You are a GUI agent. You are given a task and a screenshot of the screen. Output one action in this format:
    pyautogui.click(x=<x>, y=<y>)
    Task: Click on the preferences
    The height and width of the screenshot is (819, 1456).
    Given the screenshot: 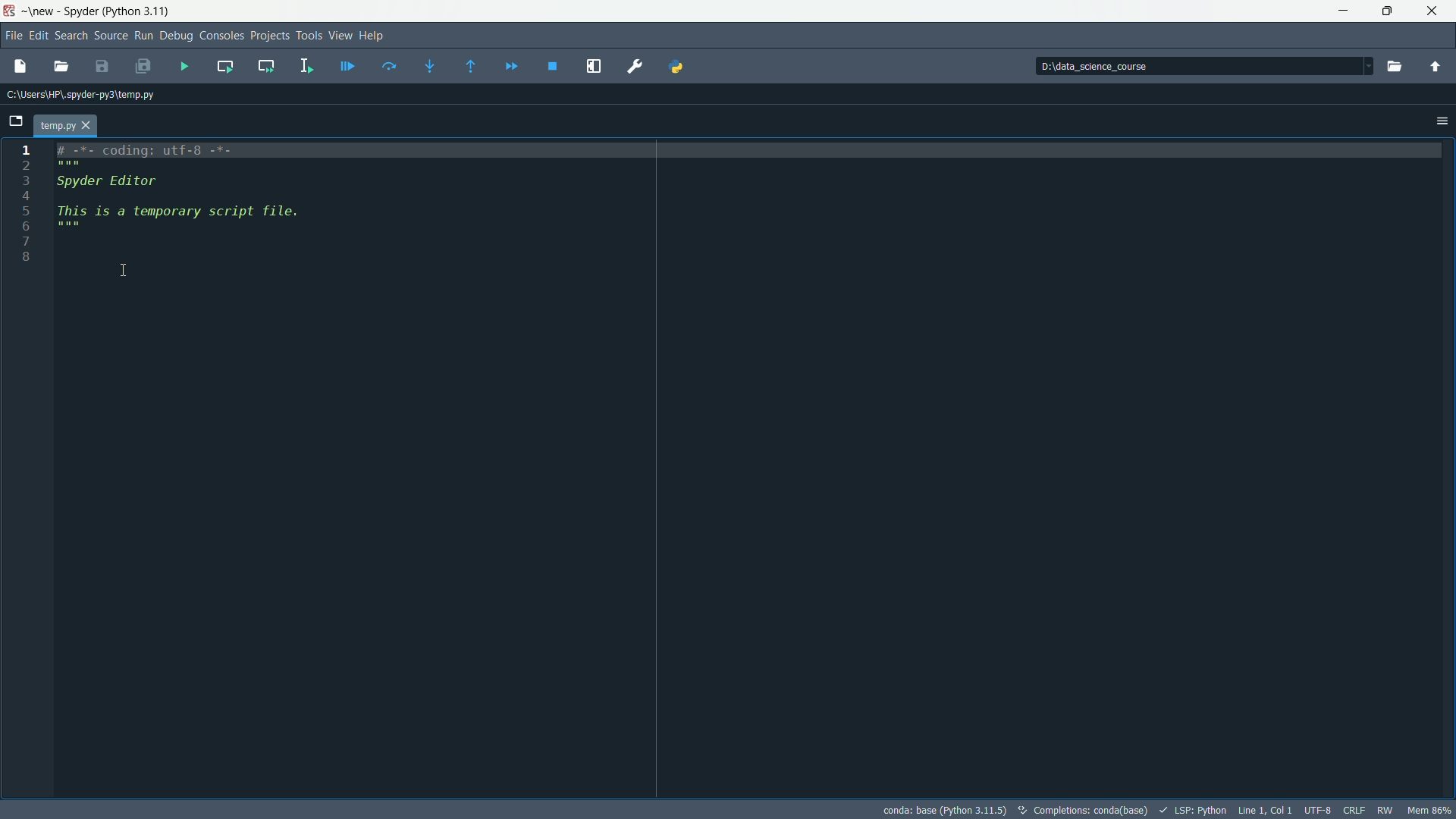 What is the action you would take?
    pyautogui.click(x=634, y=66)
    